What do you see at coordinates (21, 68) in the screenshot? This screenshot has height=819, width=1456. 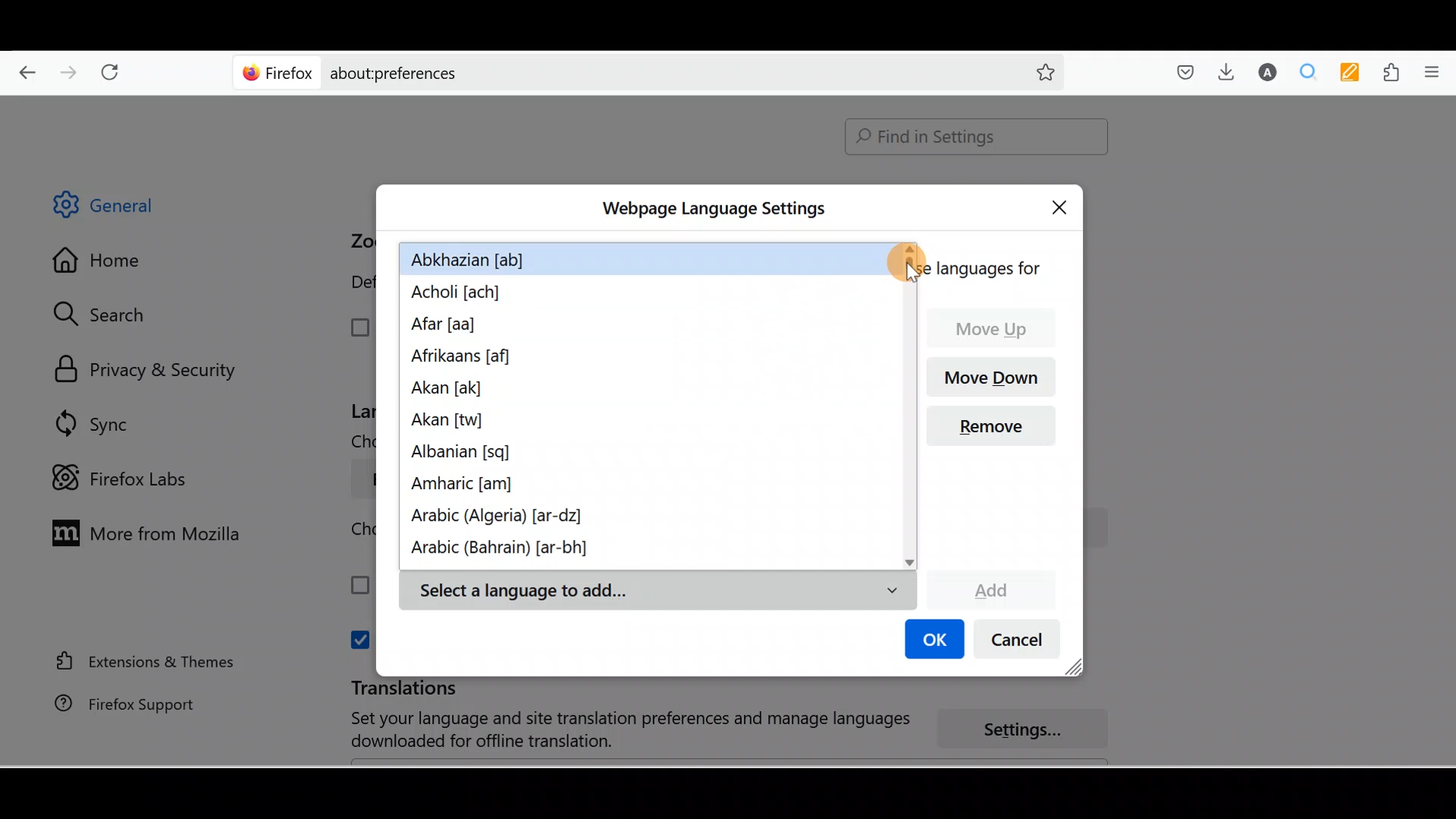 I see `Go back one page` at bounding box center [21, 68].